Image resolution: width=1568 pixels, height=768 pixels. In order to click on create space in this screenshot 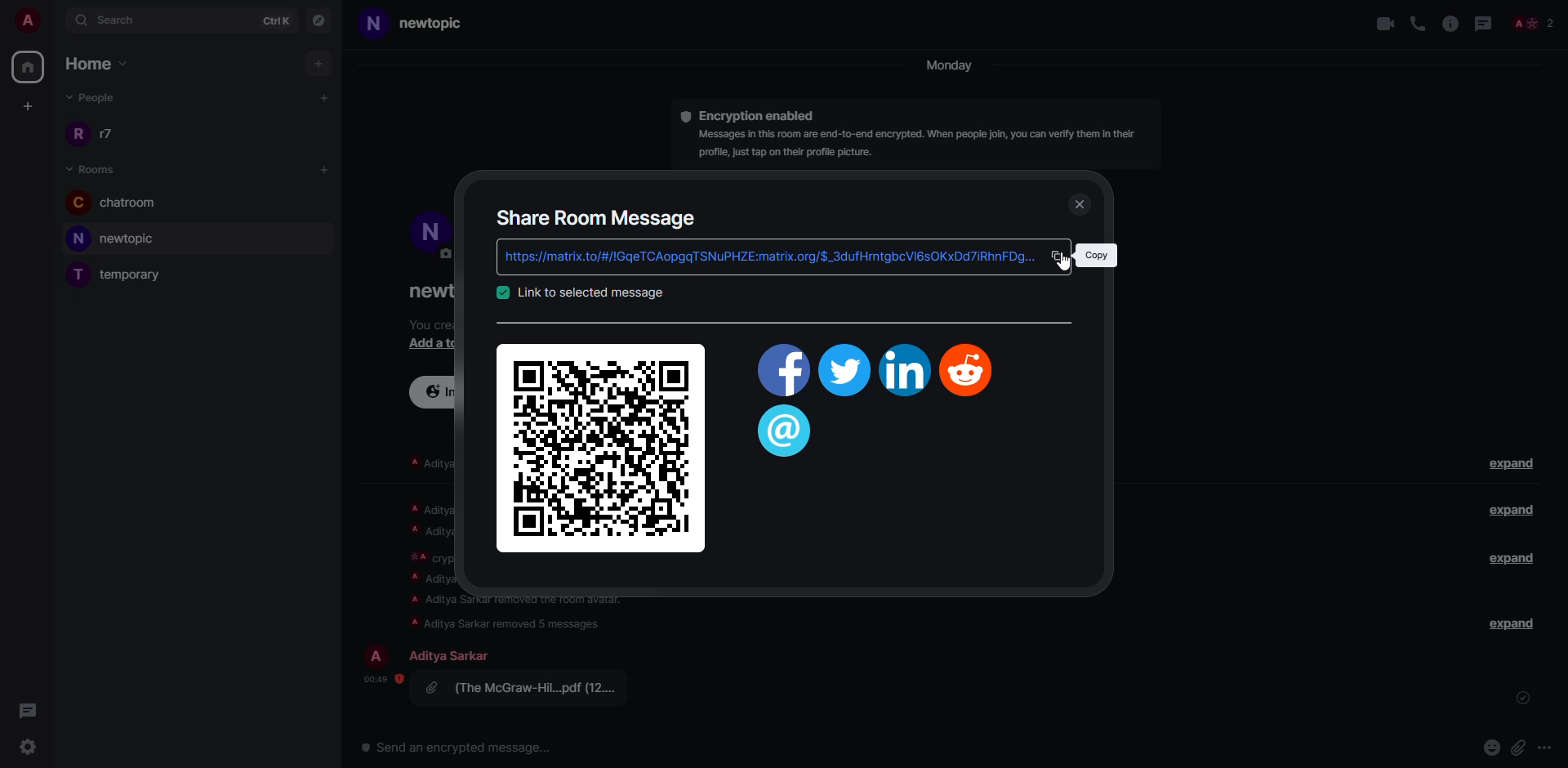, I will do `click(25, 105)`.